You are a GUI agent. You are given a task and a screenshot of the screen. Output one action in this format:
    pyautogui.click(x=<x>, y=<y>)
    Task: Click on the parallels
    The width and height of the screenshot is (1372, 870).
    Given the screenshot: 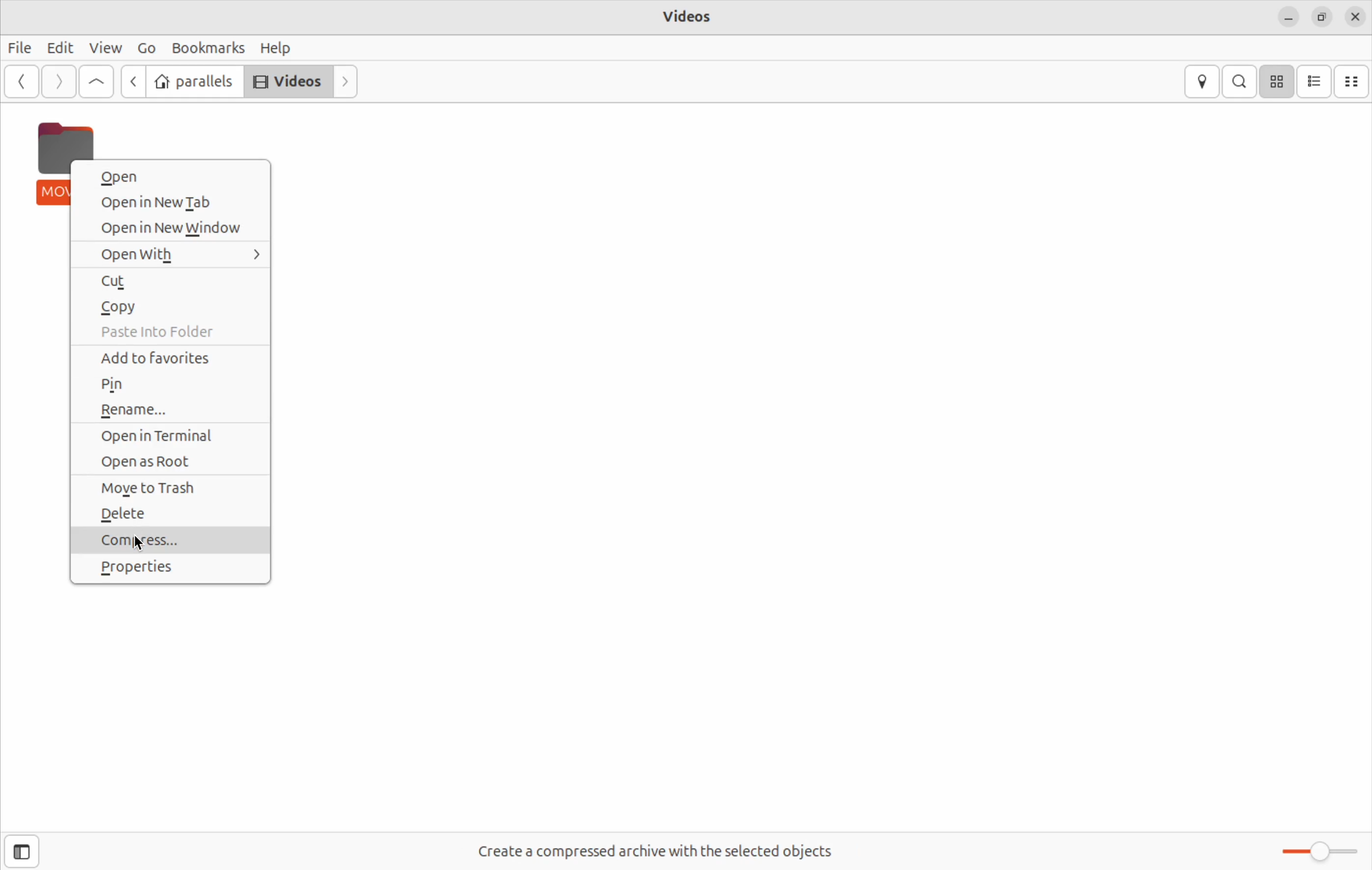 What is the action you would take?
    pyautogui.click(x=194, y=81)
    